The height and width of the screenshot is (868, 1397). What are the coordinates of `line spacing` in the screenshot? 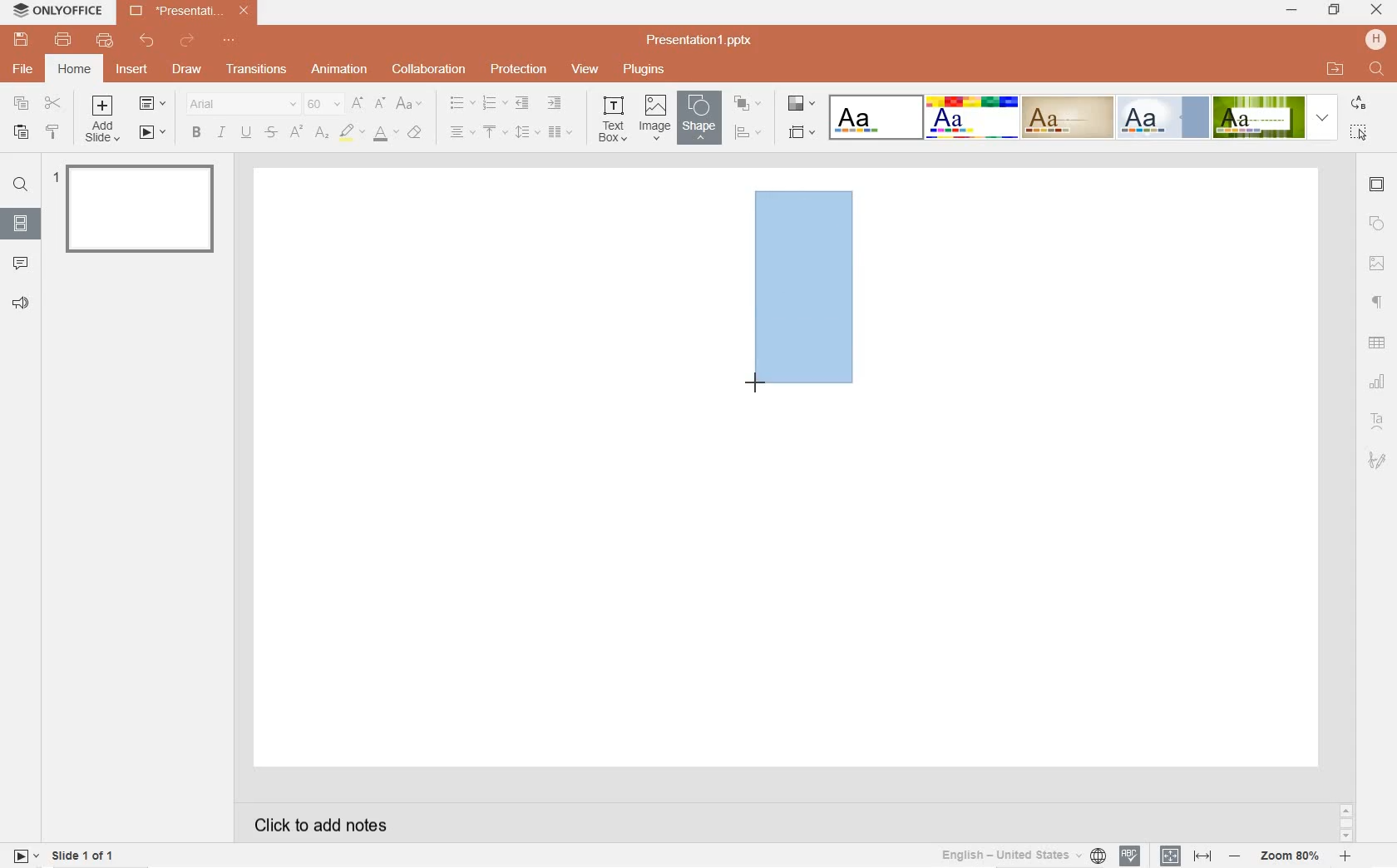 It's located at (526, 131).